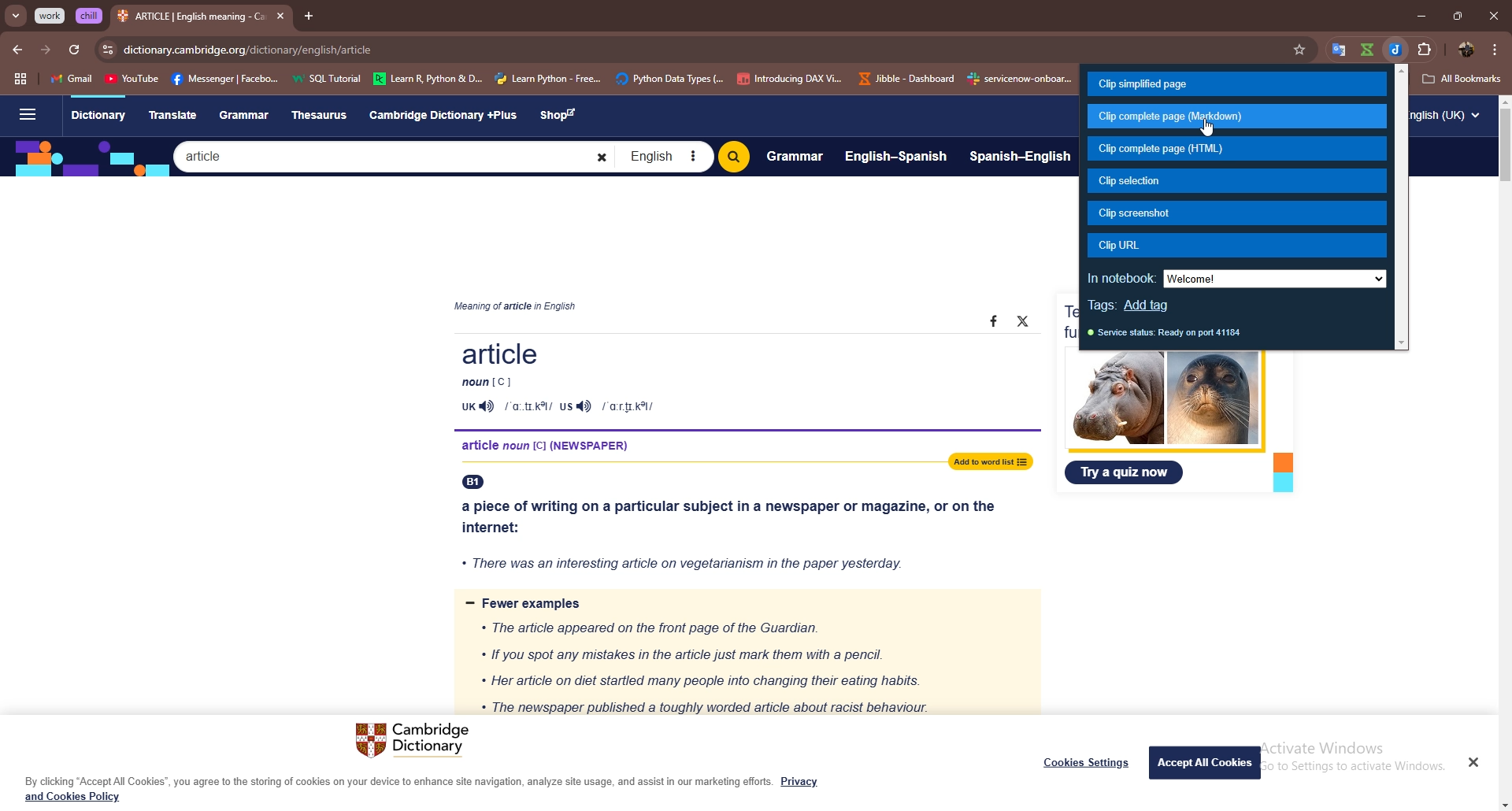 The image size is (1512, 811). Describe the element at coordinates (51, 16) in the screenshot. I see `grouped tab` at that location.